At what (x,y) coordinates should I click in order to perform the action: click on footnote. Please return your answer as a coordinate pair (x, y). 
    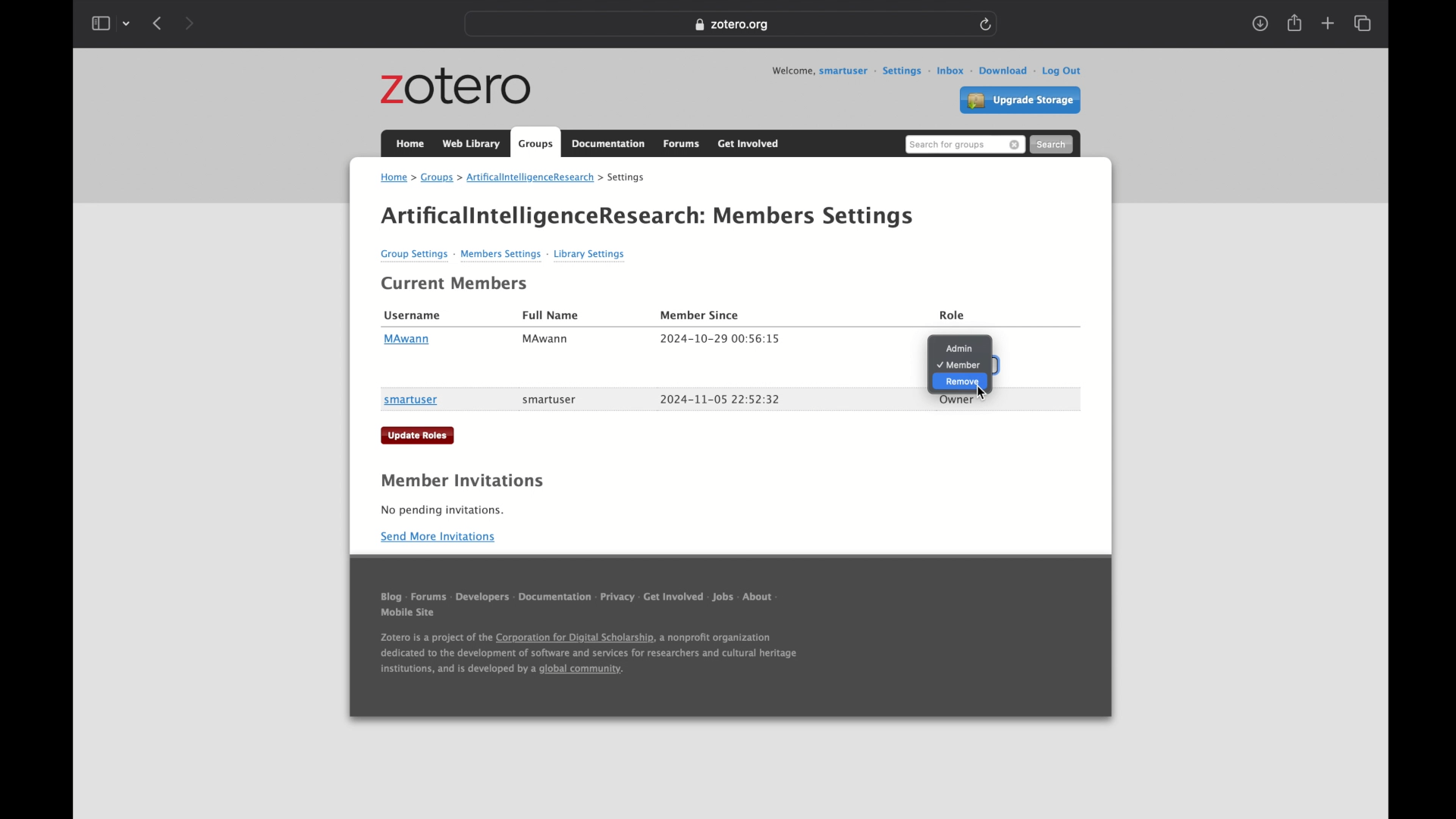
    Looking at the image, I should click on (588, 657).